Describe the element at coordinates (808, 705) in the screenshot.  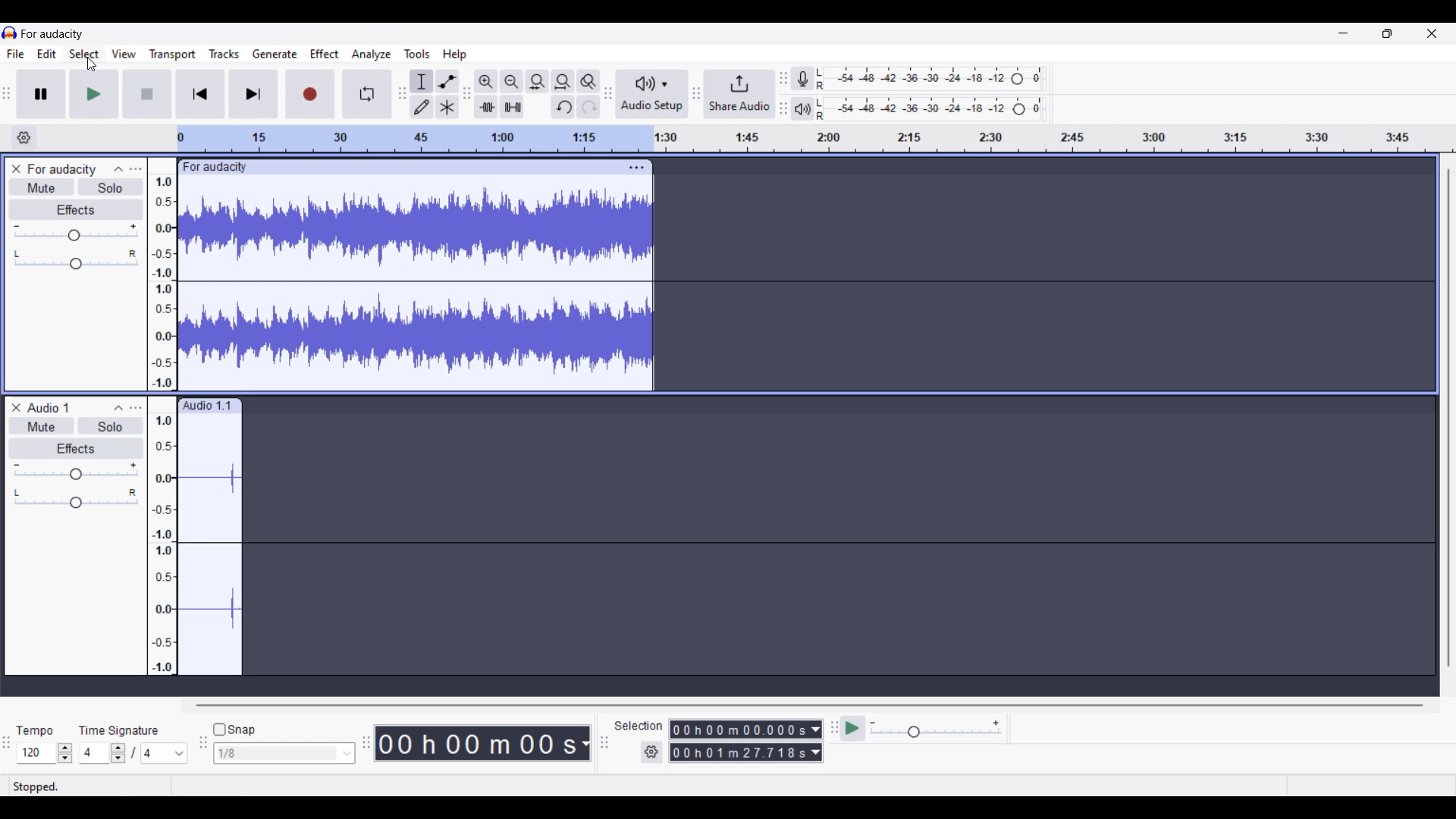
I see `Horizontal slide bar` at that location.